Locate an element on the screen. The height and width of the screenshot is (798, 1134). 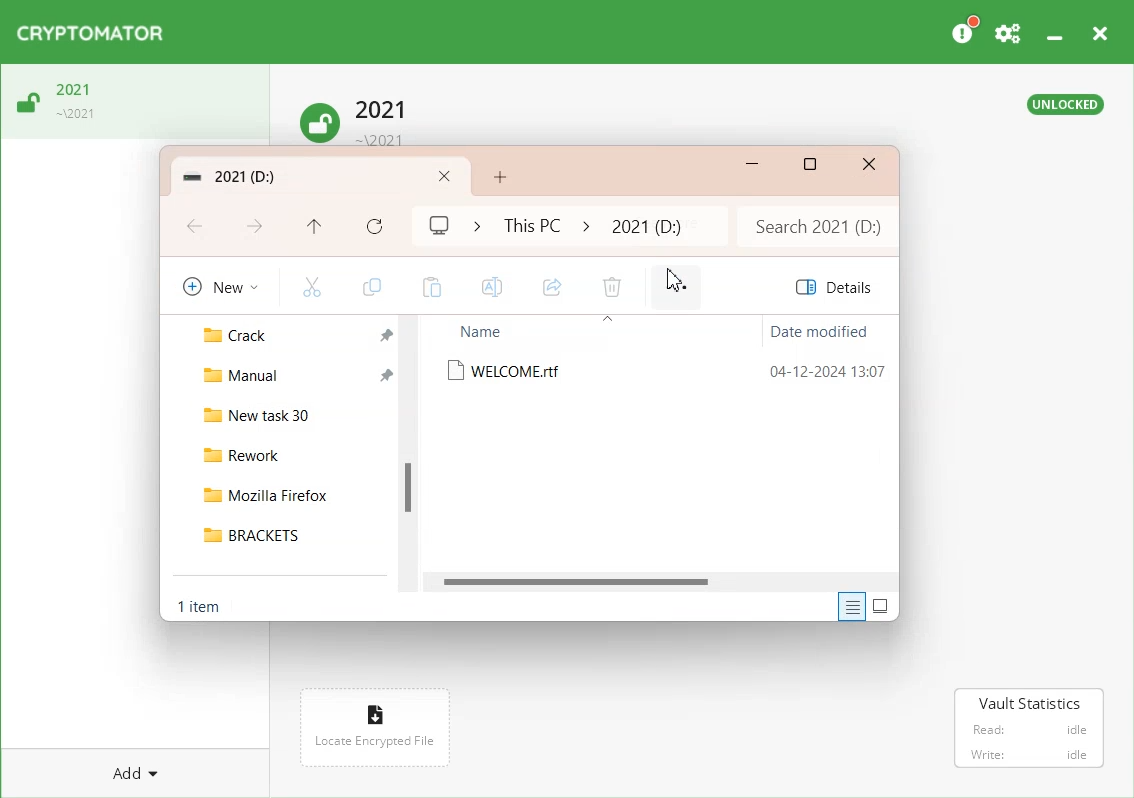
Text is located at coordinates (1065, 104).